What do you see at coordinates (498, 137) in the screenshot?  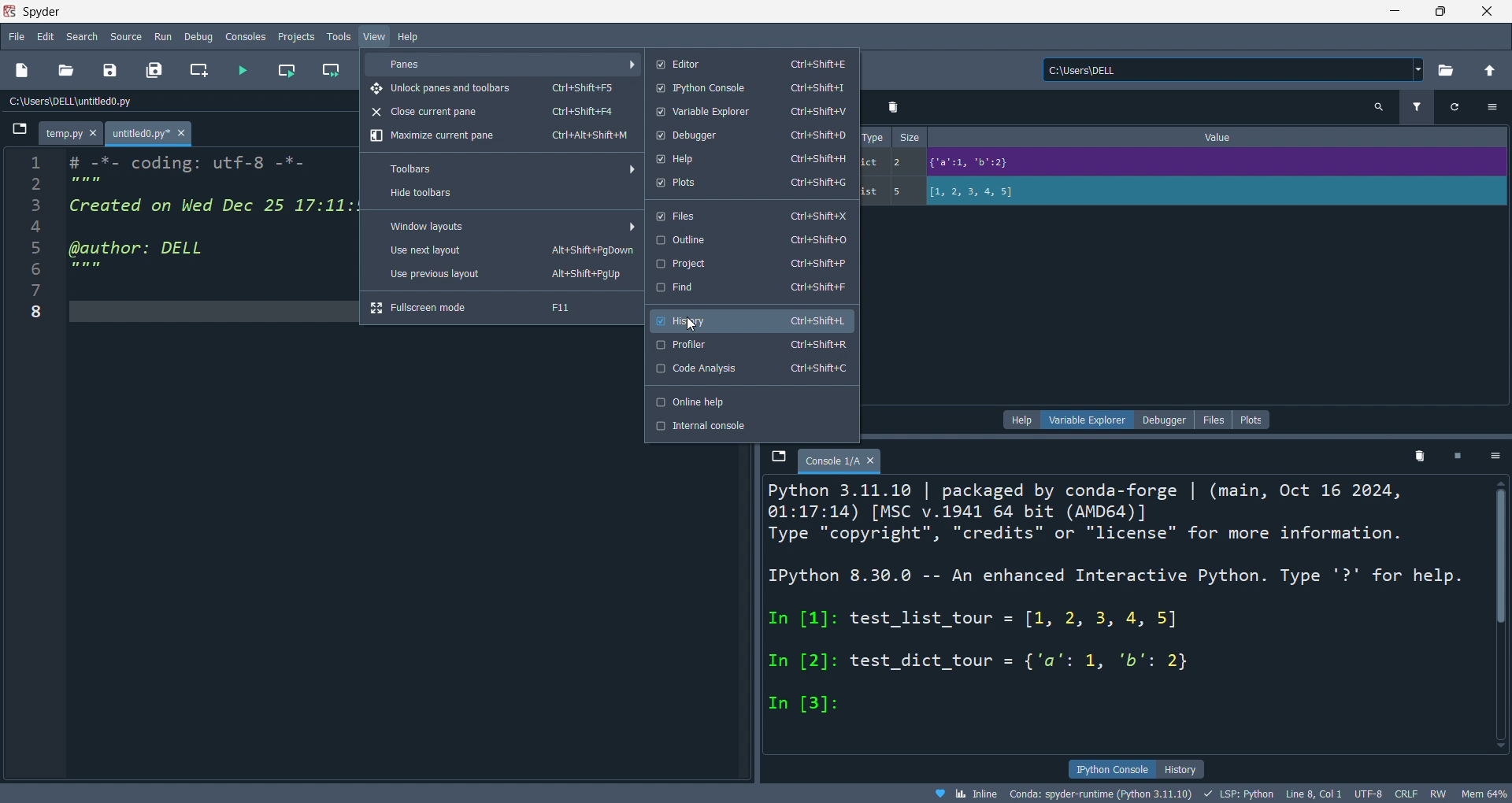 I see `maximize current pane` at bounding box center [498, 137].